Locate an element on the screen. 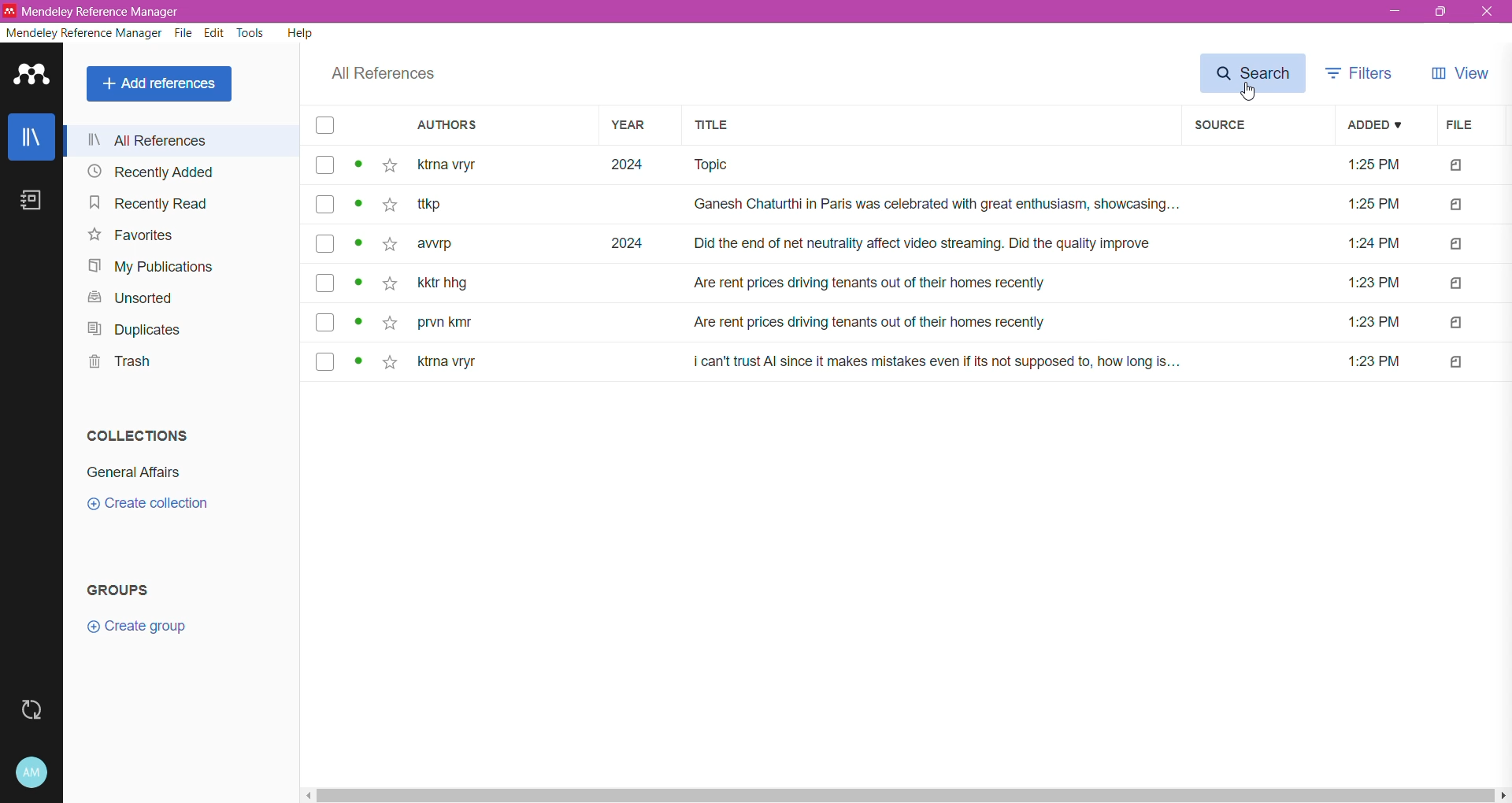 The height and width of the screenshot is (803, 1512). File is located at coordinates (1463, 126).